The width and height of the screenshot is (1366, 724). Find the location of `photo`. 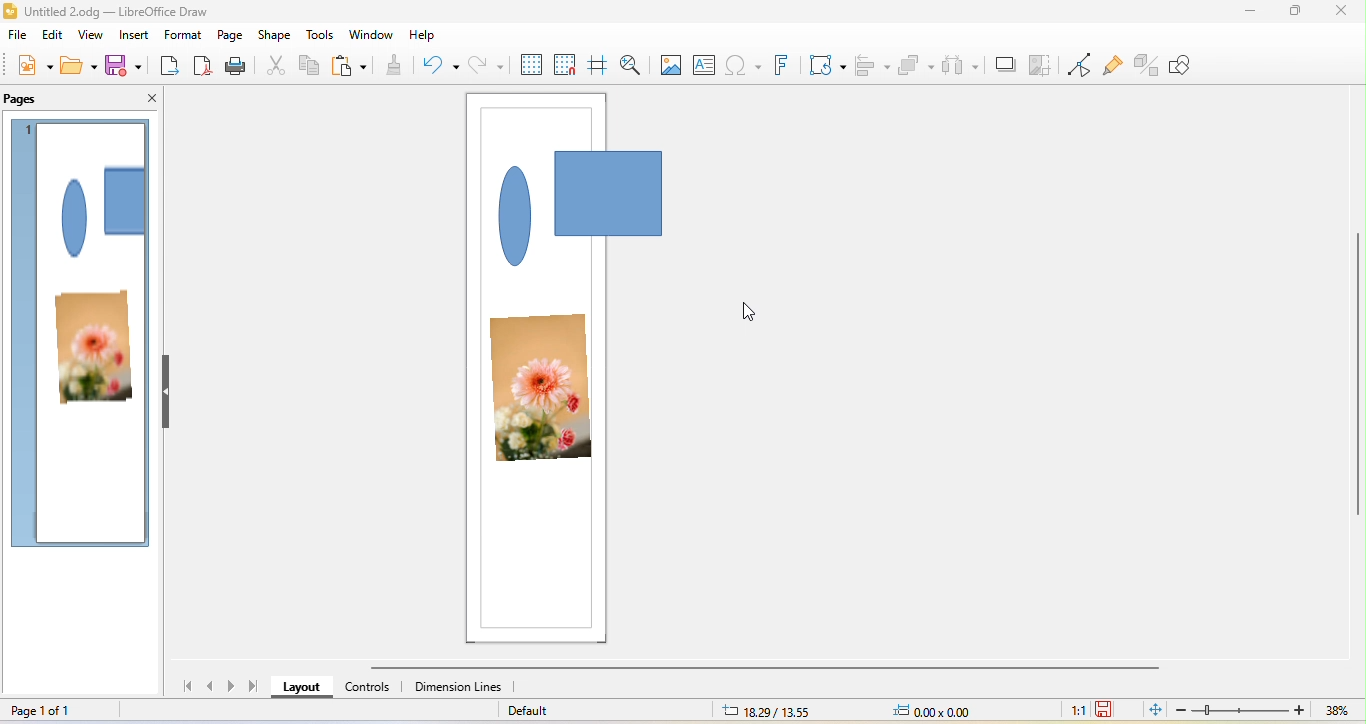

photo is located at coordinates (542, 388).